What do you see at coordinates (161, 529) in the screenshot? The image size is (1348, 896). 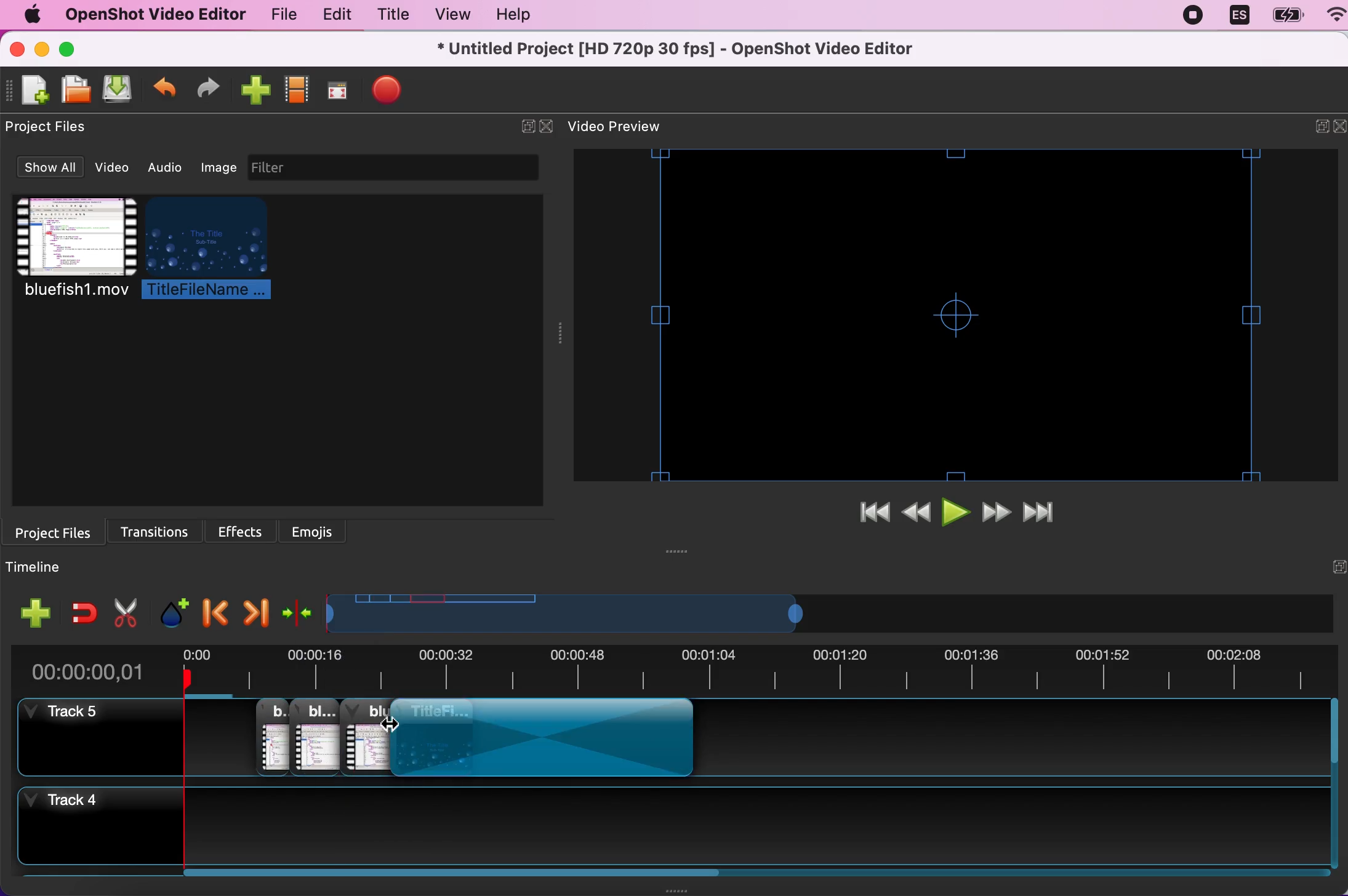 I see `transitions` at bounding box center [161, 529].